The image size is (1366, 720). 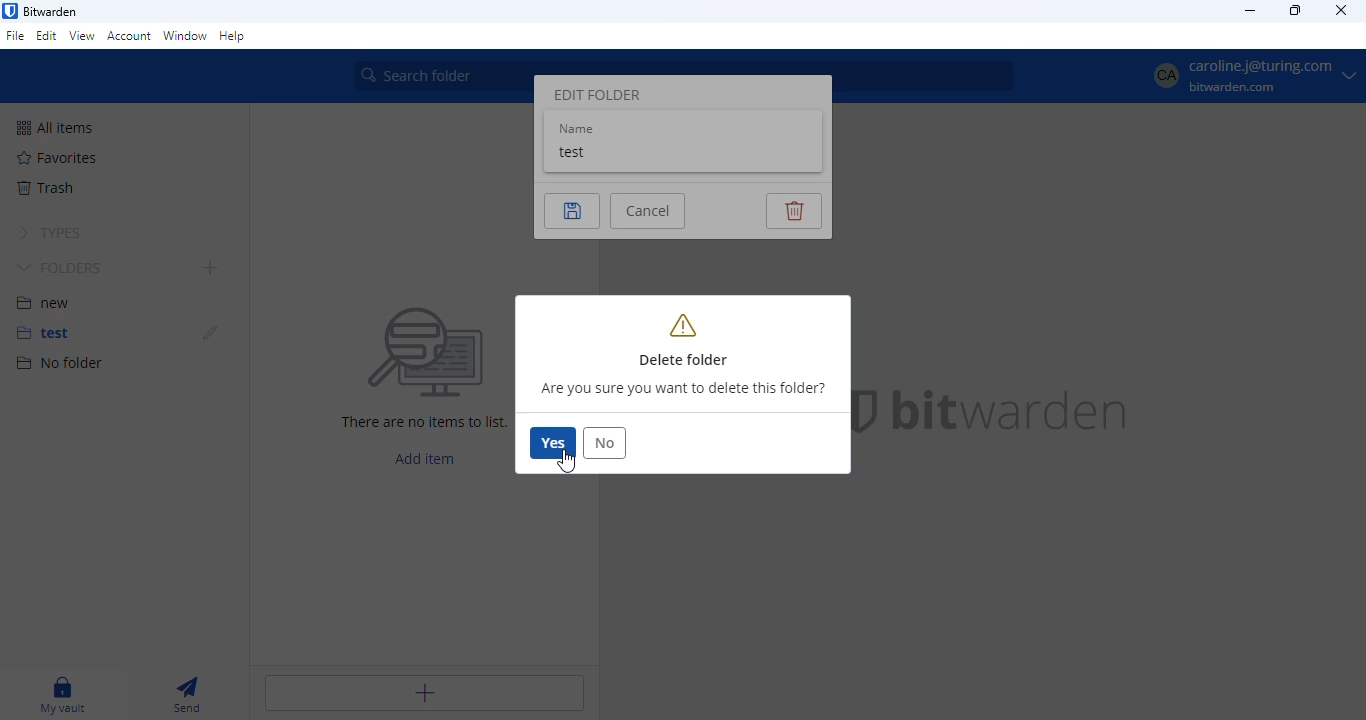 I want to click on my vault, so click(x=63, y=695).